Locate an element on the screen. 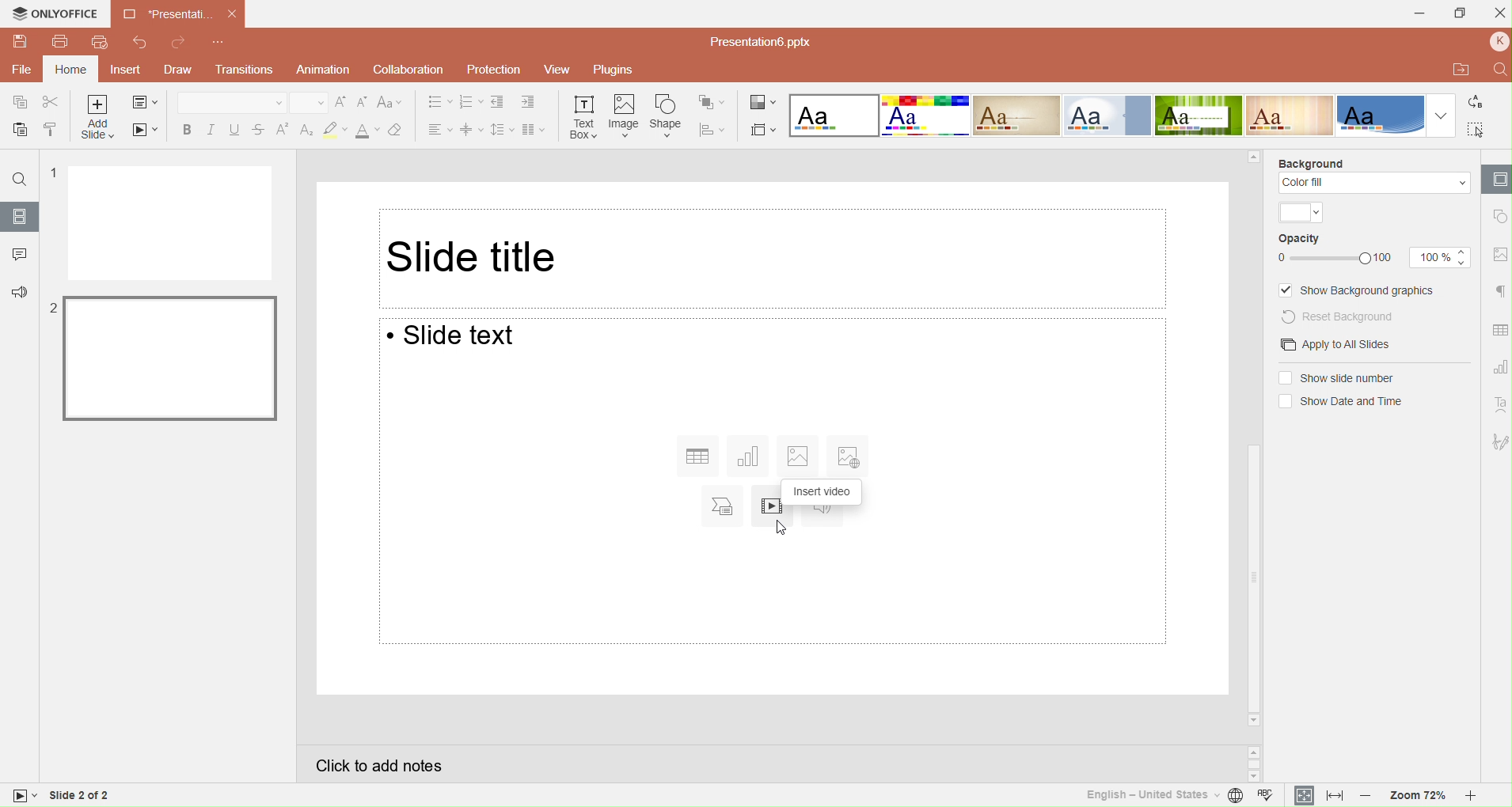 Image resolution: width=1512 pixels, height=807 pixels. Zoom out is located at coordinates (1366, 796).